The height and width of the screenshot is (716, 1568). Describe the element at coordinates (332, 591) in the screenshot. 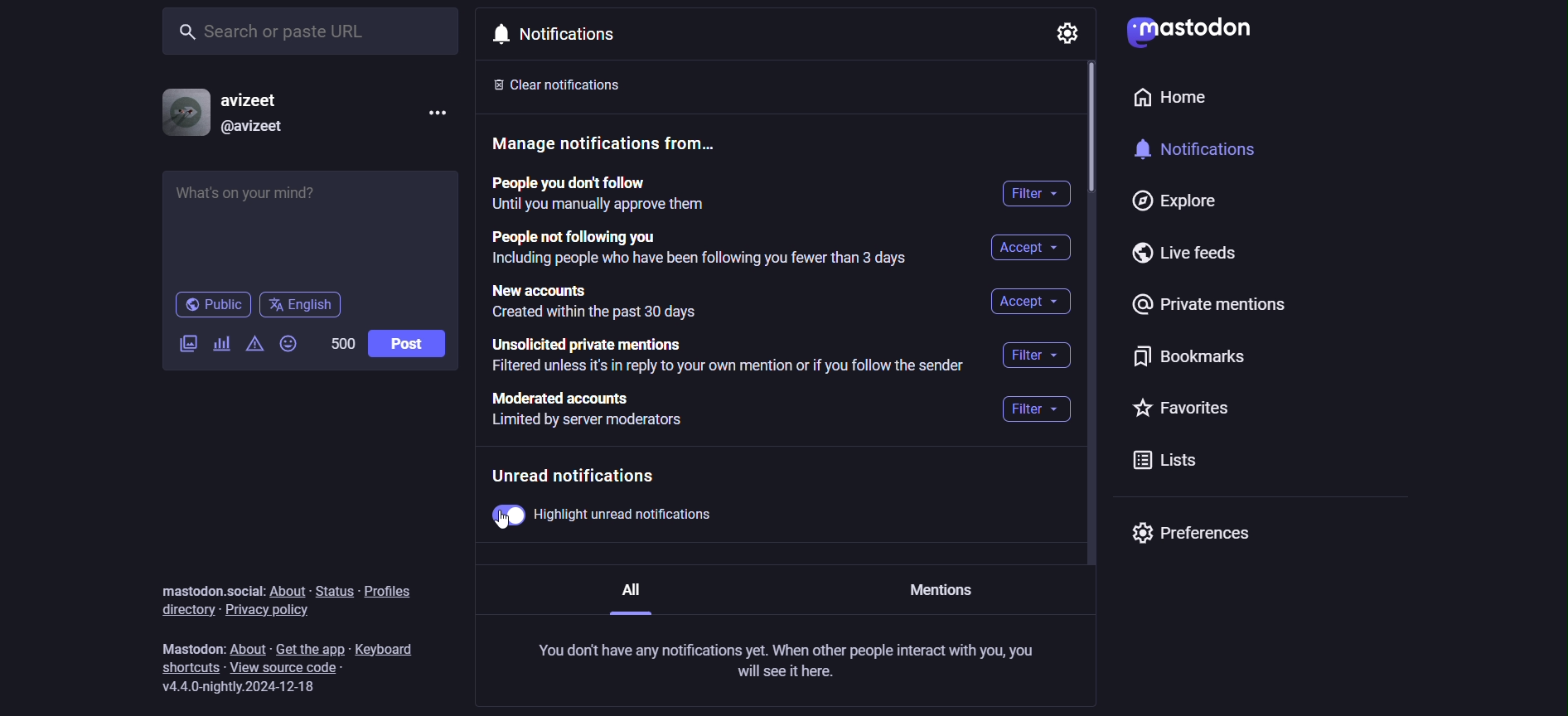

I see `status` at that location.